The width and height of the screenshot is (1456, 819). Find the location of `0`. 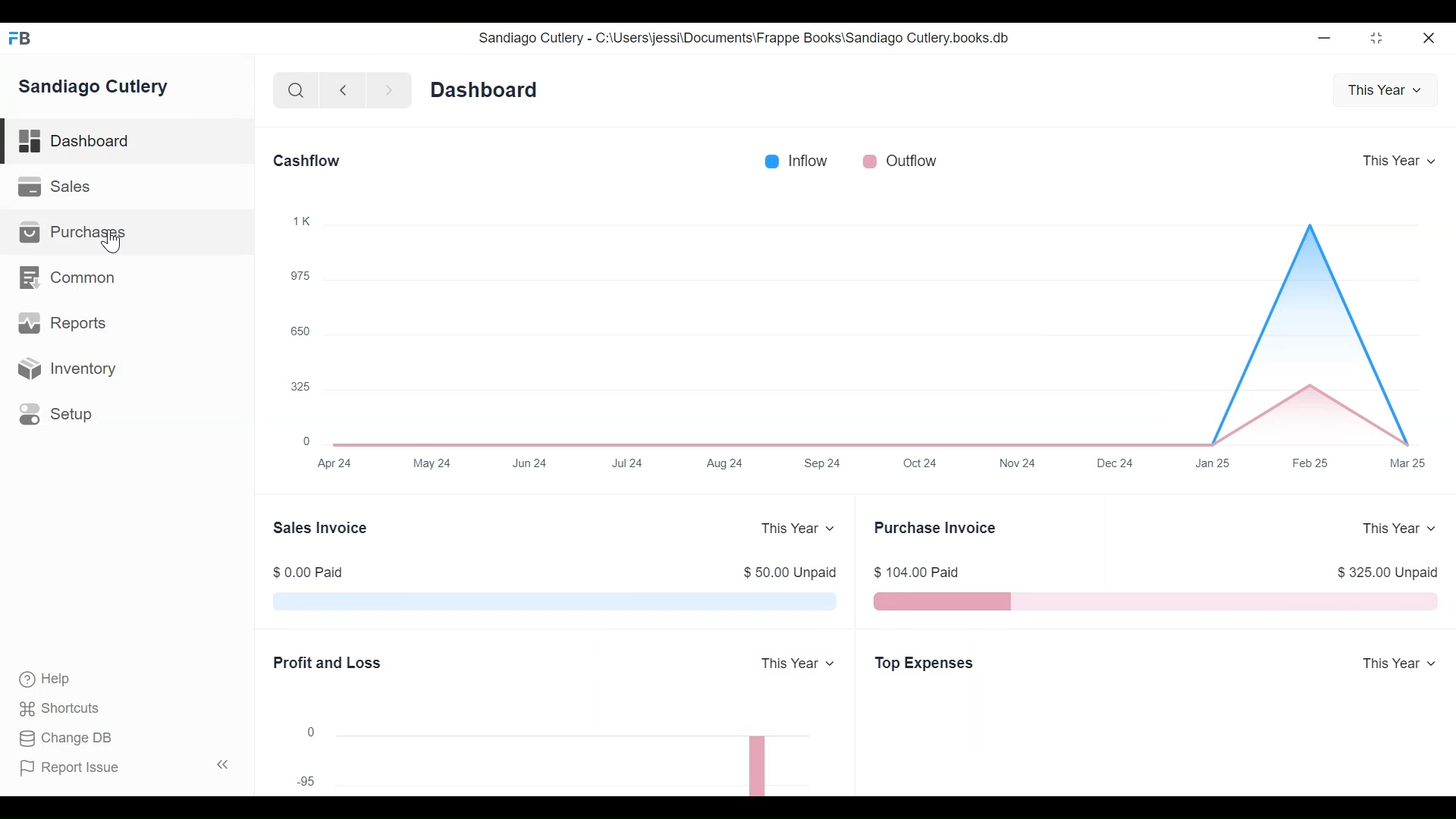

0 is located at coordinates (305, 440).